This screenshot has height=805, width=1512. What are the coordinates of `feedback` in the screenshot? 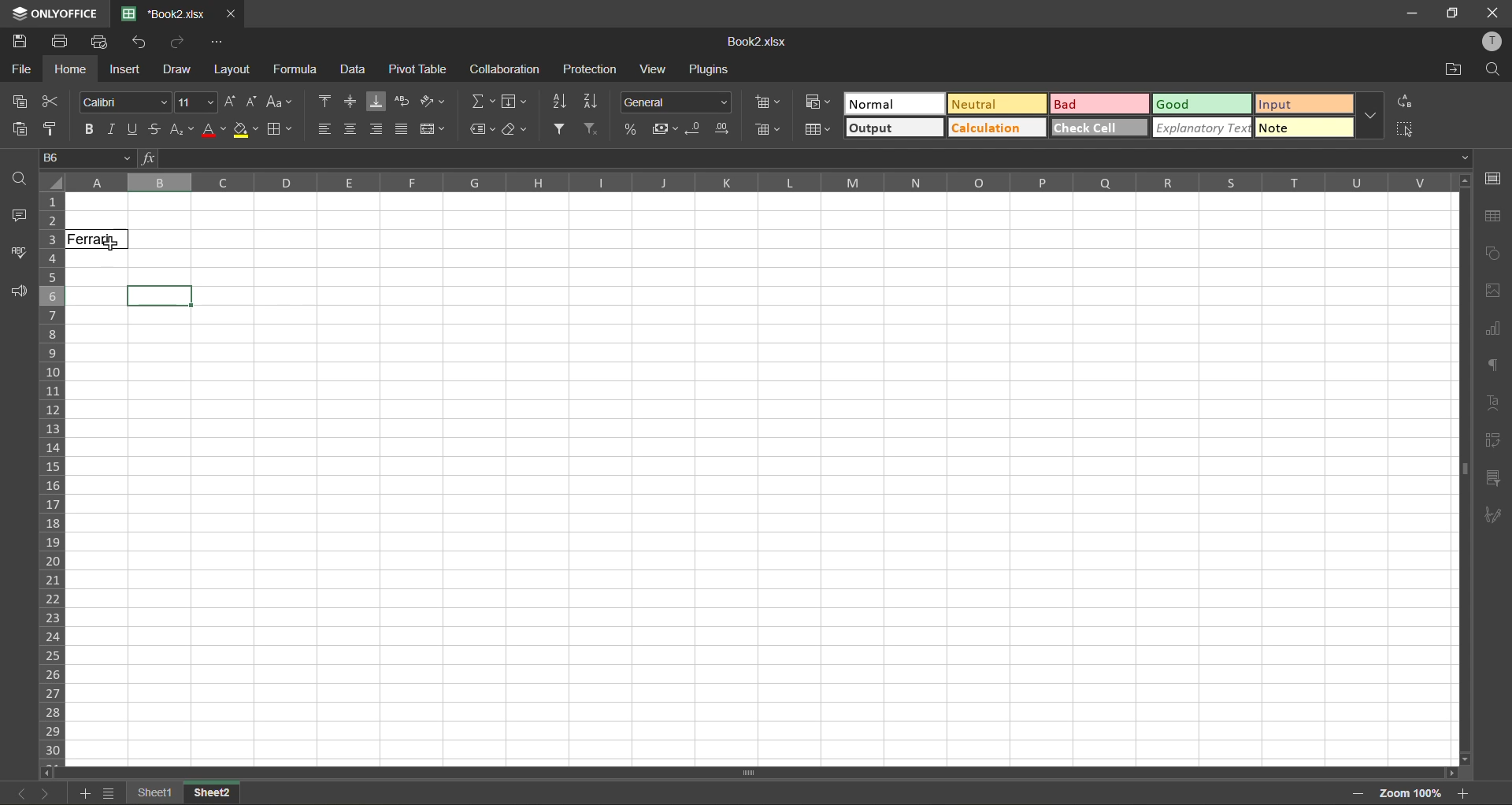 It's located at (18, 292).